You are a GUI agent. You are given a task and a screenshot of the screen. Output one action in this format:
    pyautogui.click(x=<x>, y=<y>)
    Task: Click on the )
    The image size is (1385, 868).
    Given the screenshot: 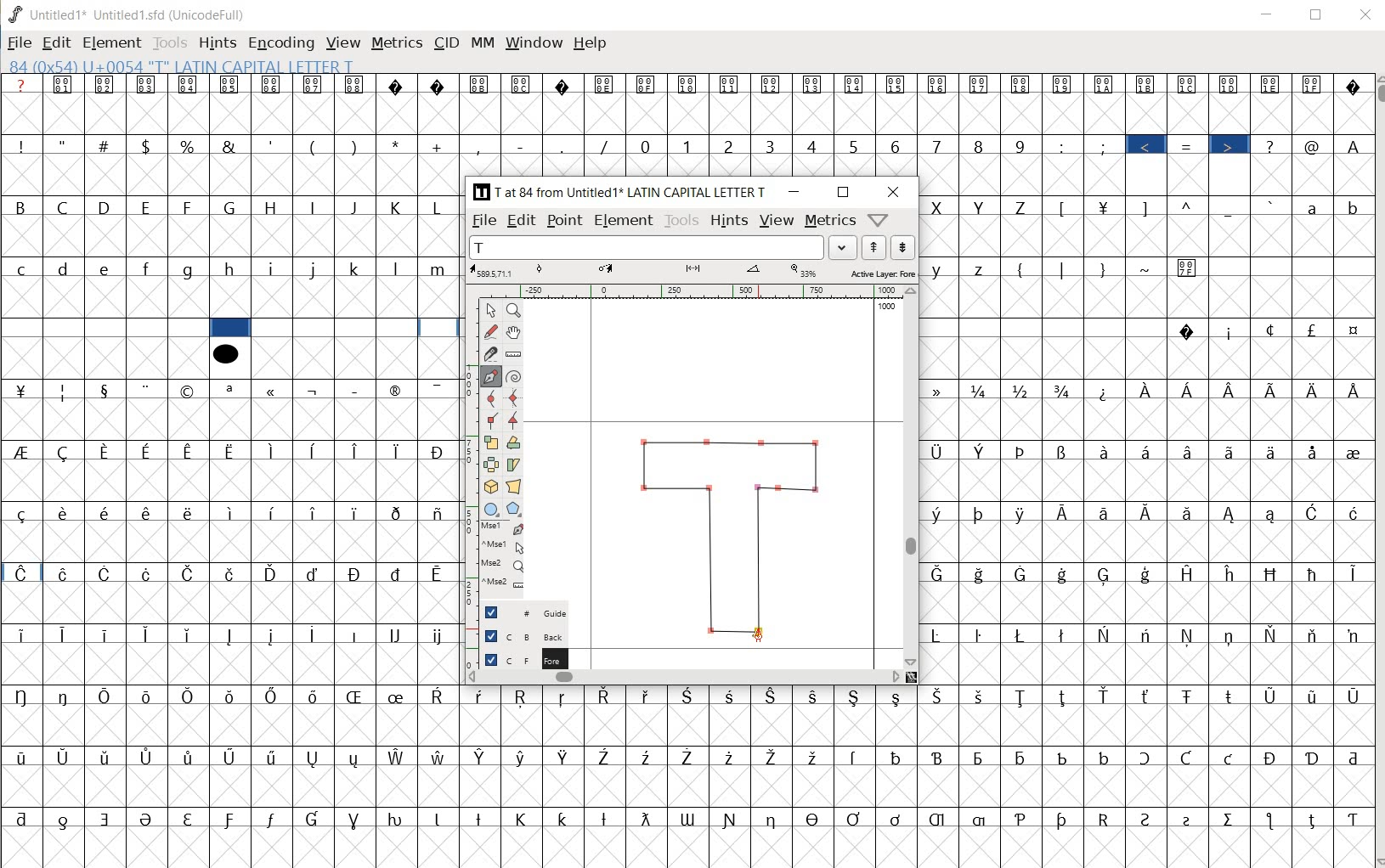 What is the action you would take?
    pyautogui.click(x=1103, y=269)
    